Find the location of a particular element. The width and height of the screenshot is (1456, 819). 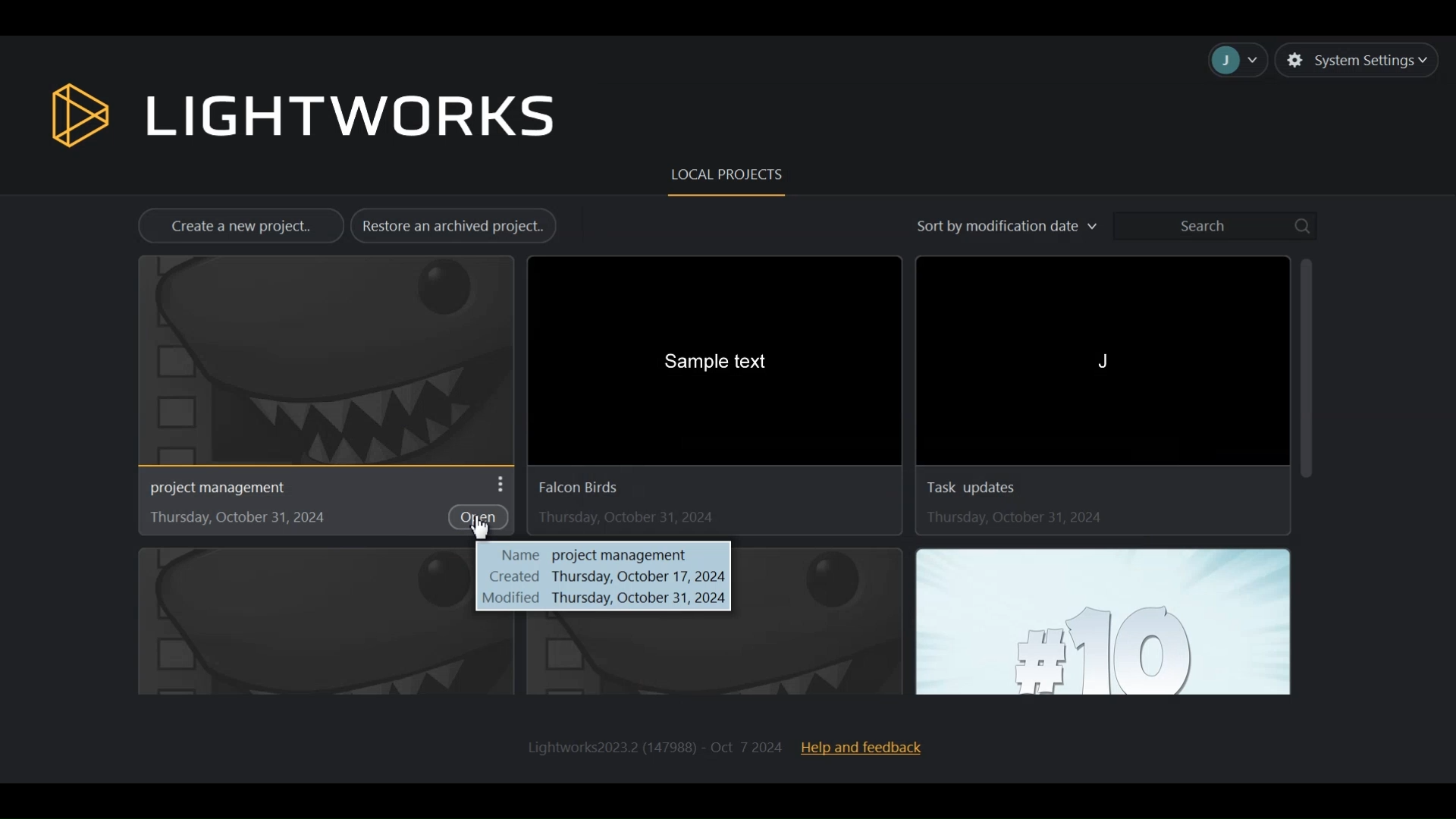

task Update is located at coordinates (974, 487).